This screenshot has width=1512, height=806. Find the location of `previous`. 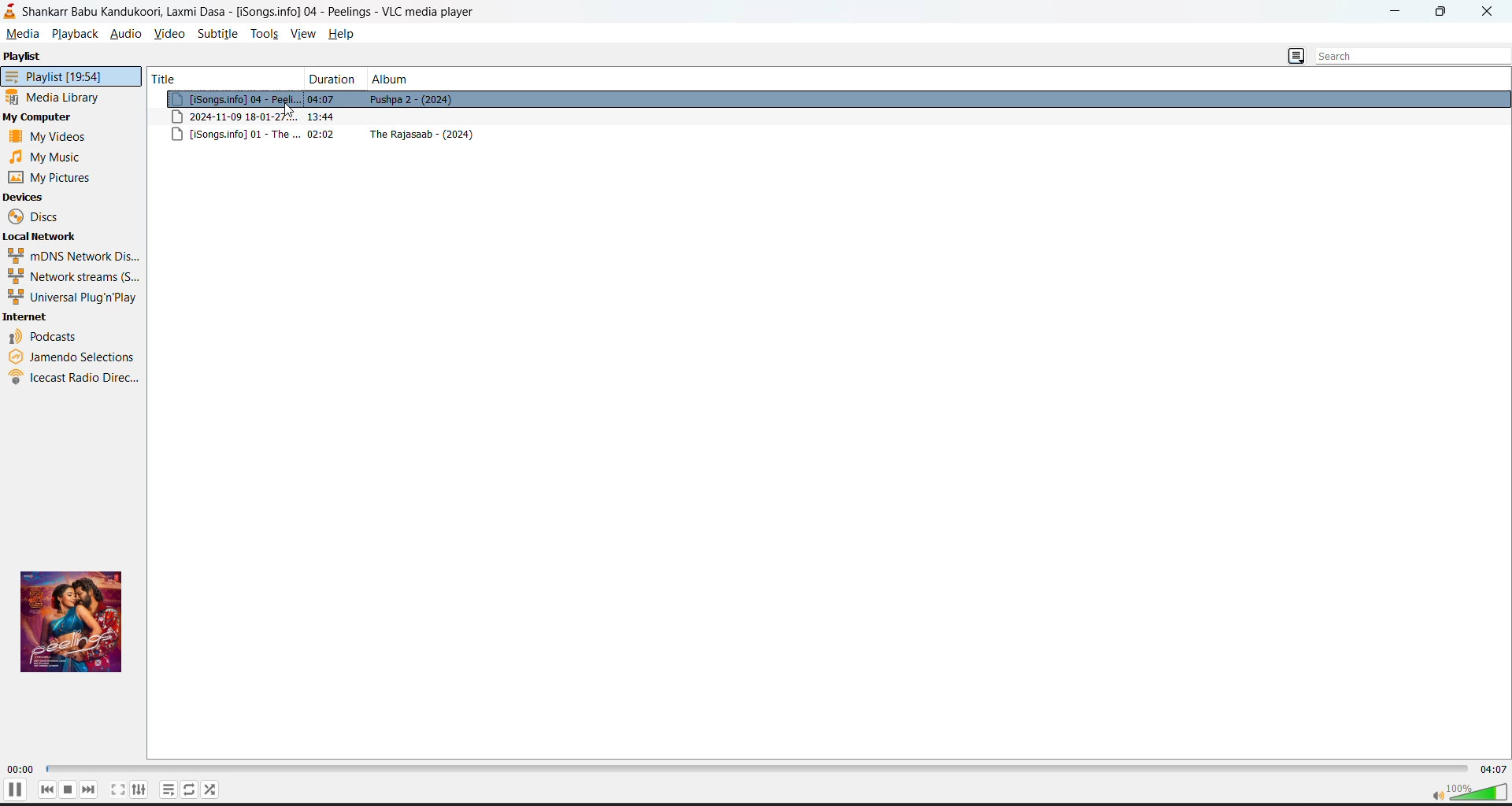

previous is located at coordinates (46, 789).